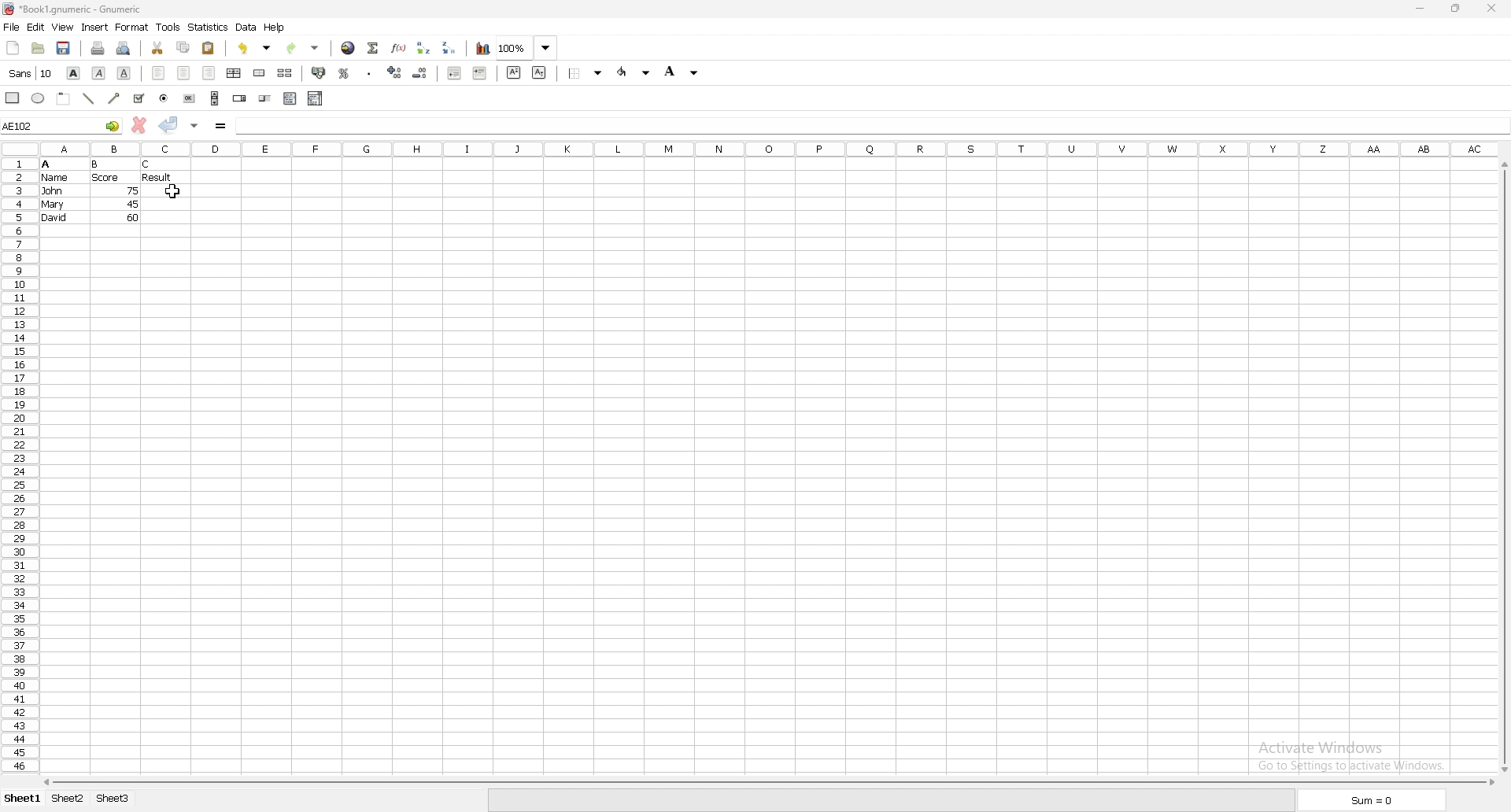 The image size is (1511, 812). What do you see at coordinates (526, 48) in the screenshot?
I see `zoom` at bounding box center [526, 48].